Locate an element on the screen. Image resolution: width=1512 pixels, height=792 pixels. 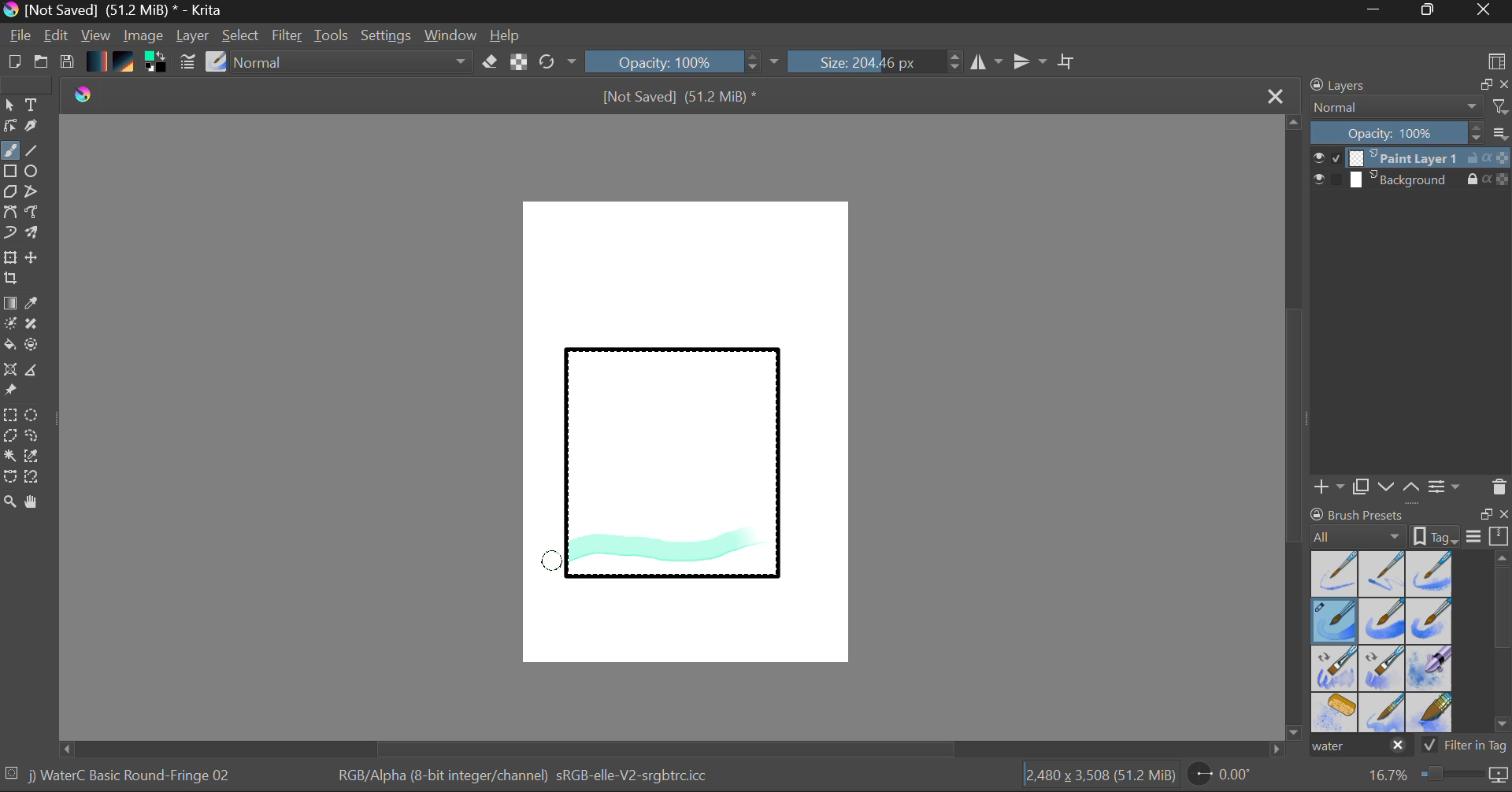
Gradient is located at coordinates (95, 60).